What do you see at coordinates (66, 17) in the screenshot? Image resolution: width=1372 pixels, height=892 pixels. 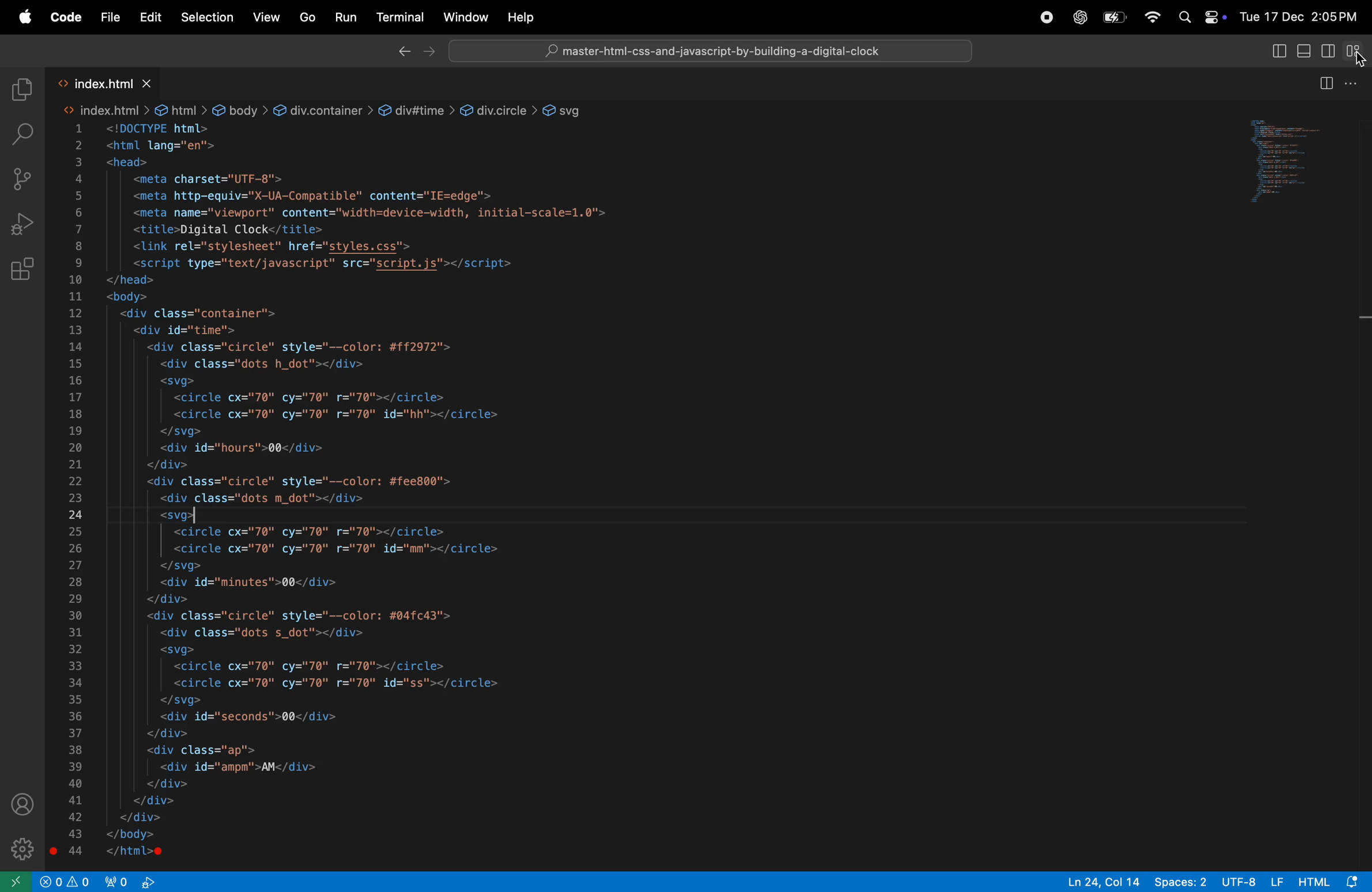 I see `code` at bounding box center [66, 17].